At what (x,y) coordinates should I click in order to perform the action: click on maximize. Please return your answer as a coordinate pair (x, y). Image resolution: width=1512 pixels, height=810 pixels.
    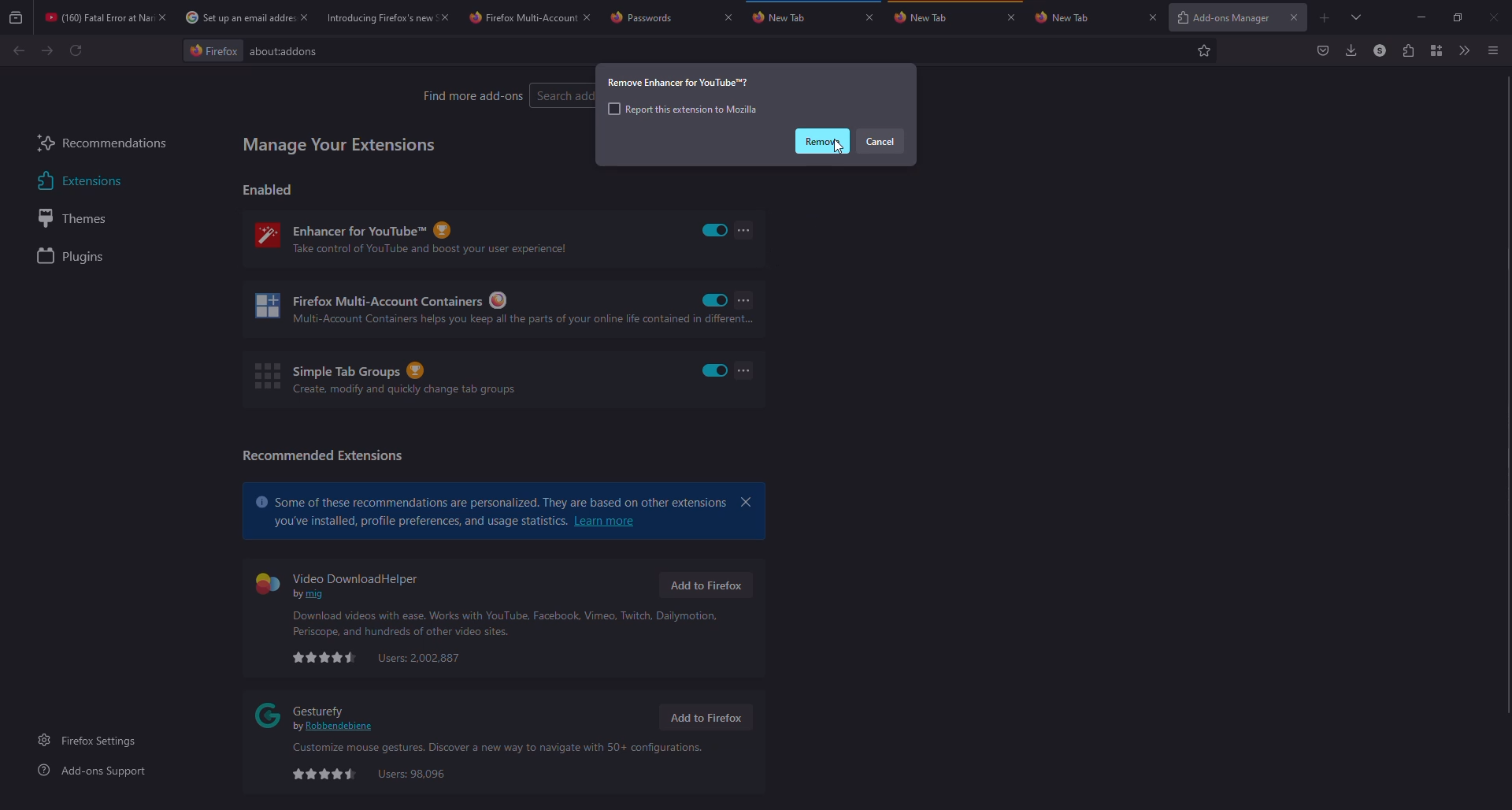
    Looking at the image, I should click on (1458, 18).